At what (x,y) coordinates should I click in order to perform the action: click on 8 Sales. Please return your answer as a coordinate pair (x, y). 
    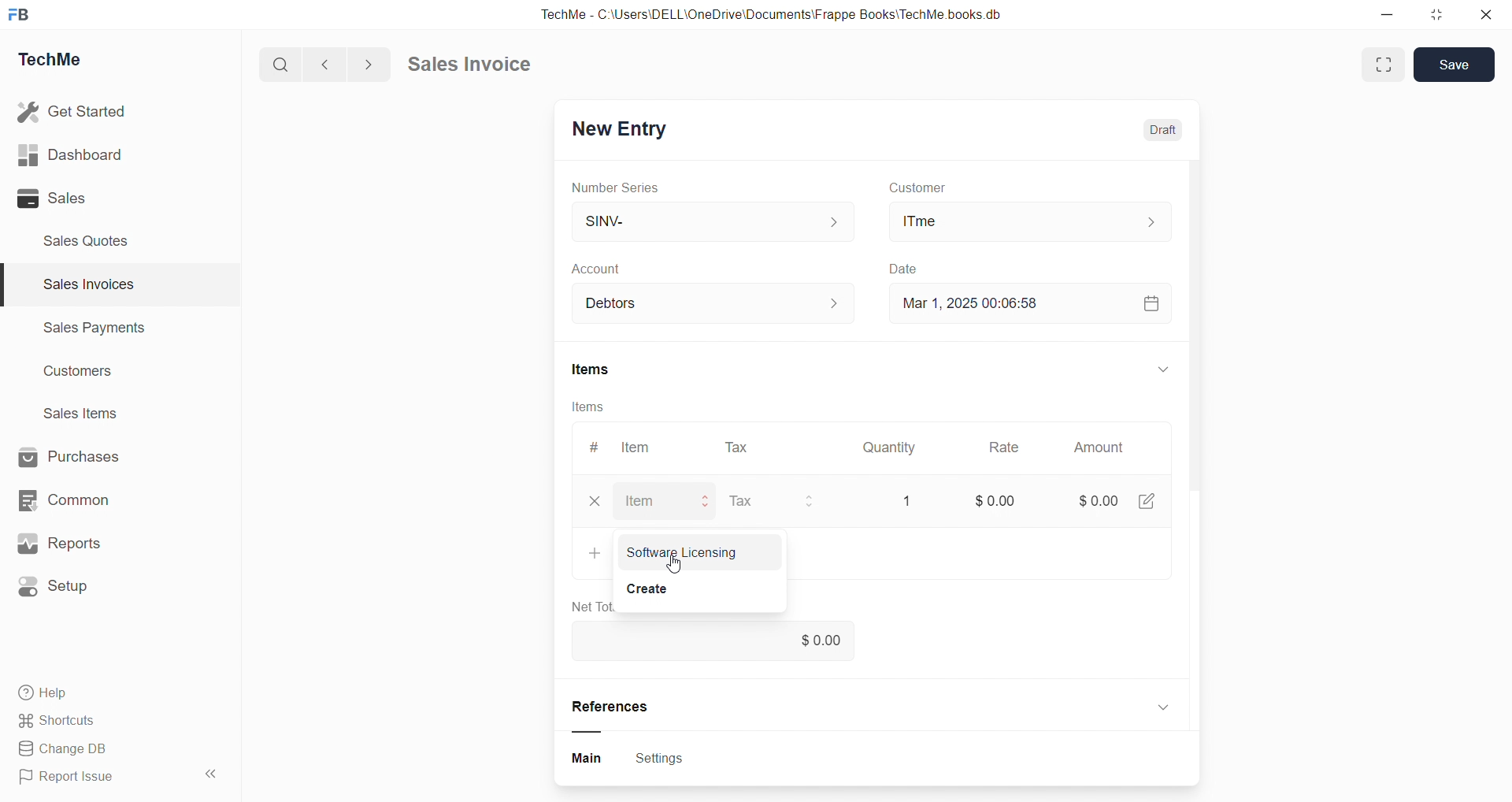
    Looking at the image, I should click on (55, 198).